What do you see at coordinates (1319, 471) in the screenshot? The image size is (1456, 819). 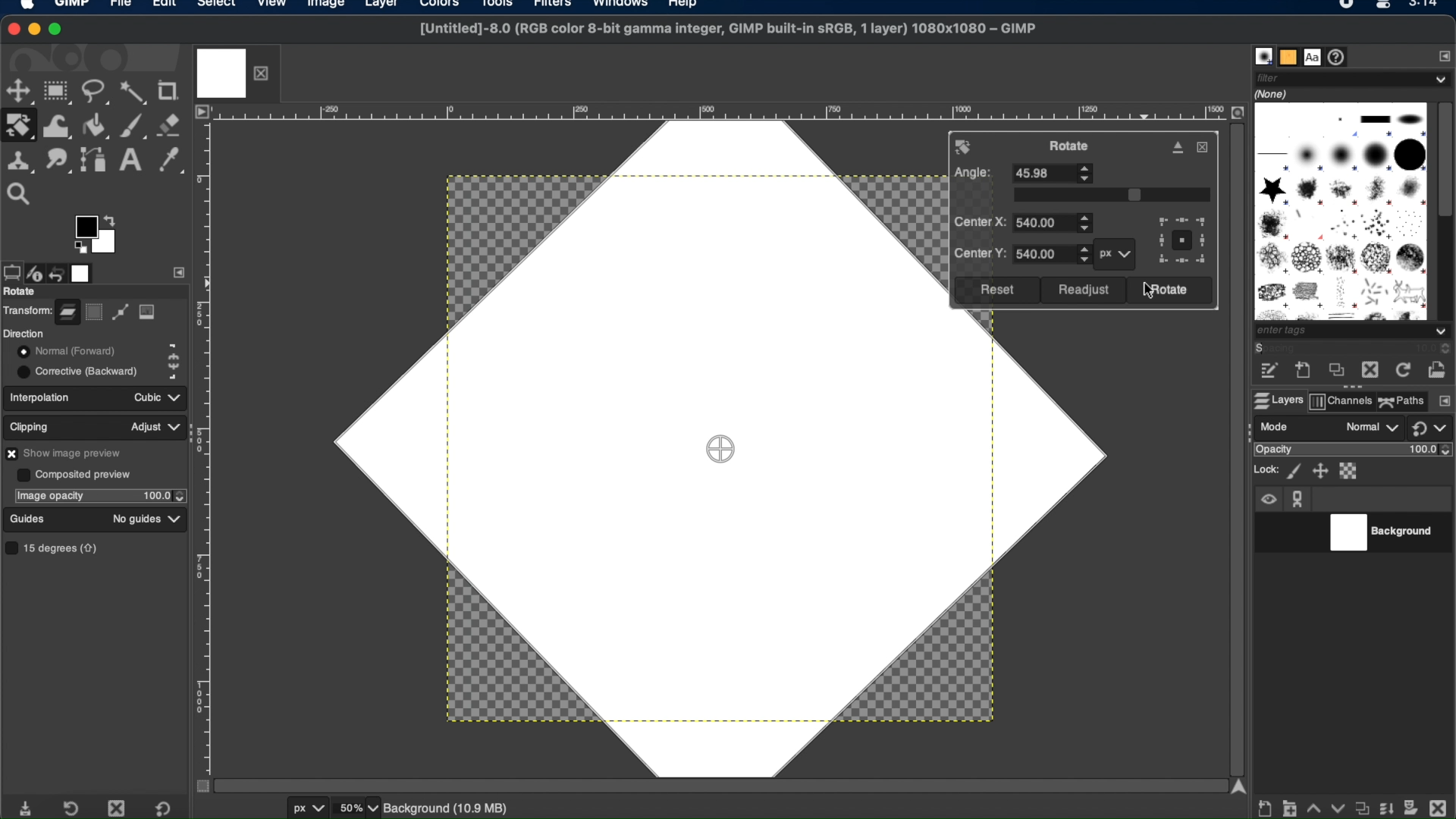 I see `lock position ans size` at bounding box center [1319, 471].